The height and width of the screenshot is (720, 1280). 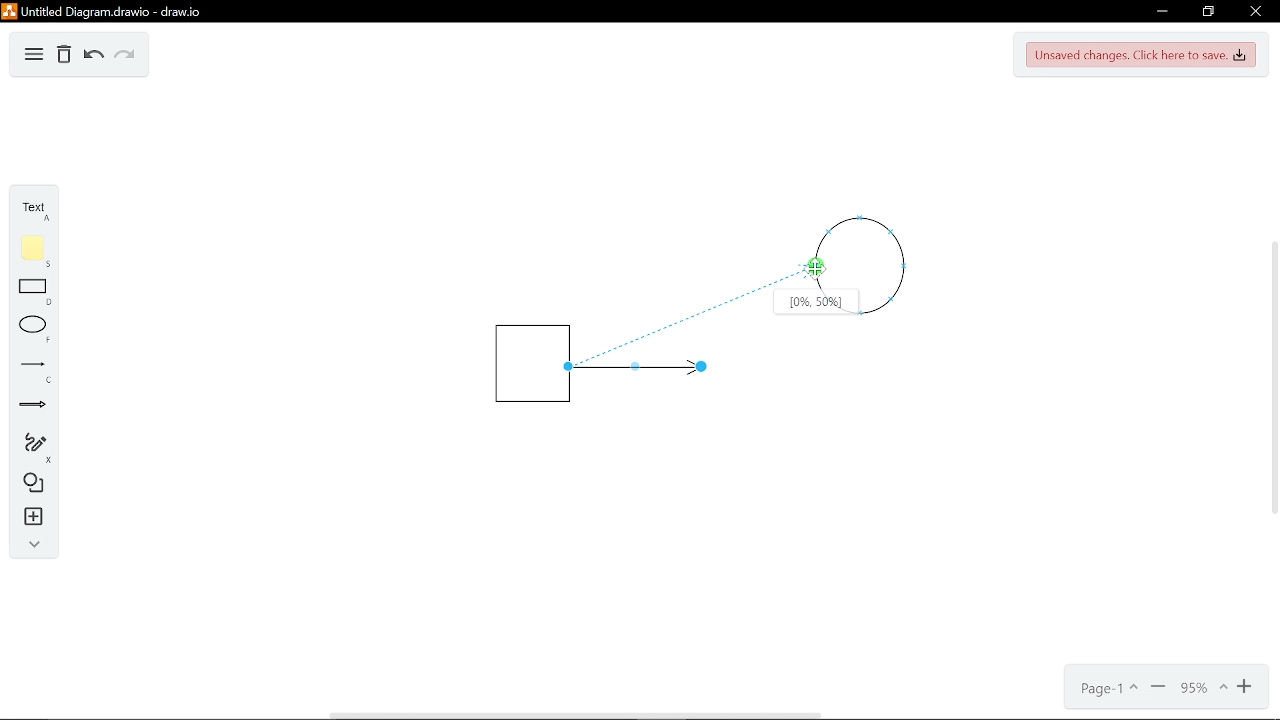 I want to click on Delete, so click(x=64, y=55).